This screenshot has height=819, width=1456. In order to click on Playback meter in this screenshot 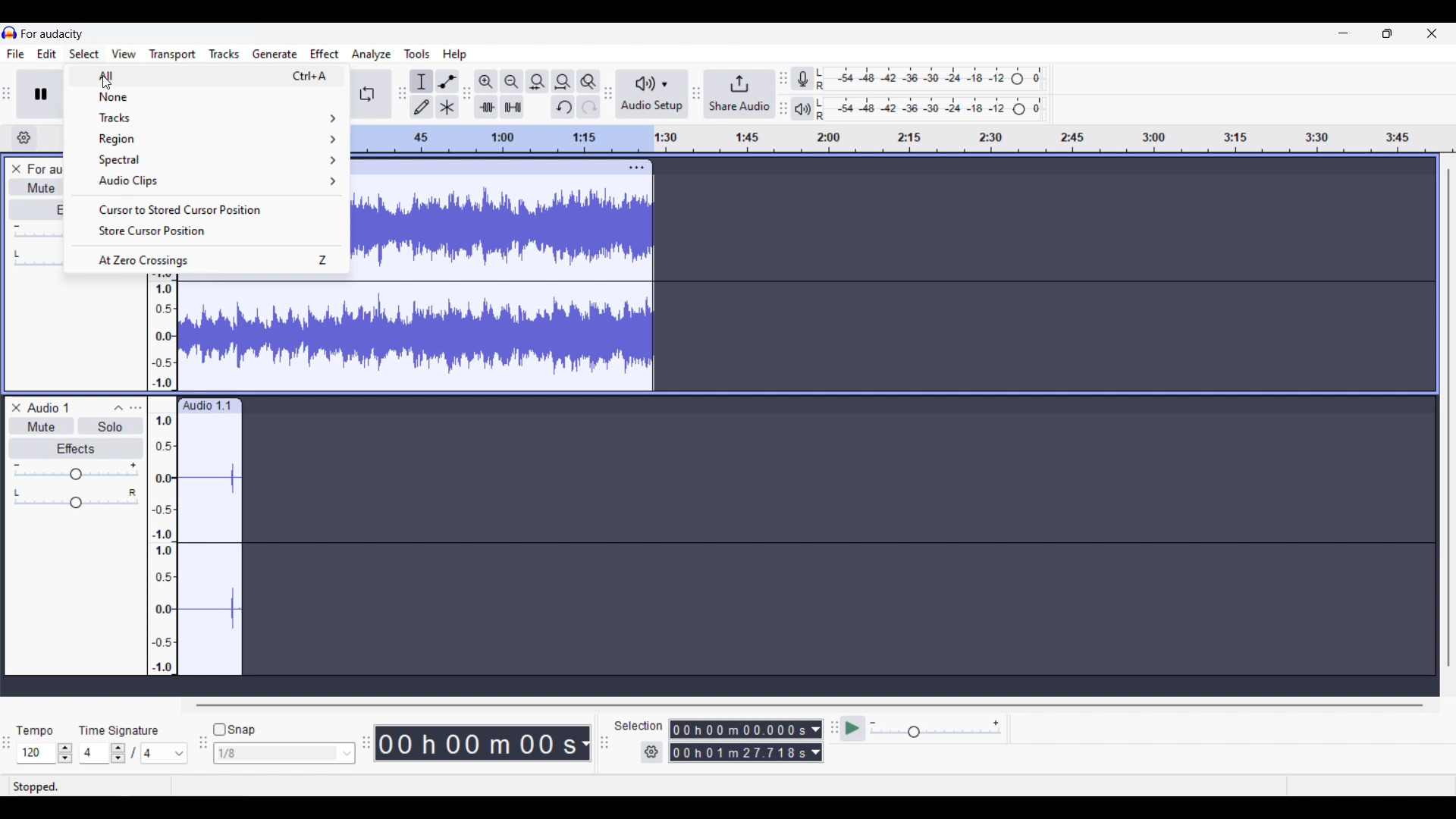, I will do `click(802, 109)`.